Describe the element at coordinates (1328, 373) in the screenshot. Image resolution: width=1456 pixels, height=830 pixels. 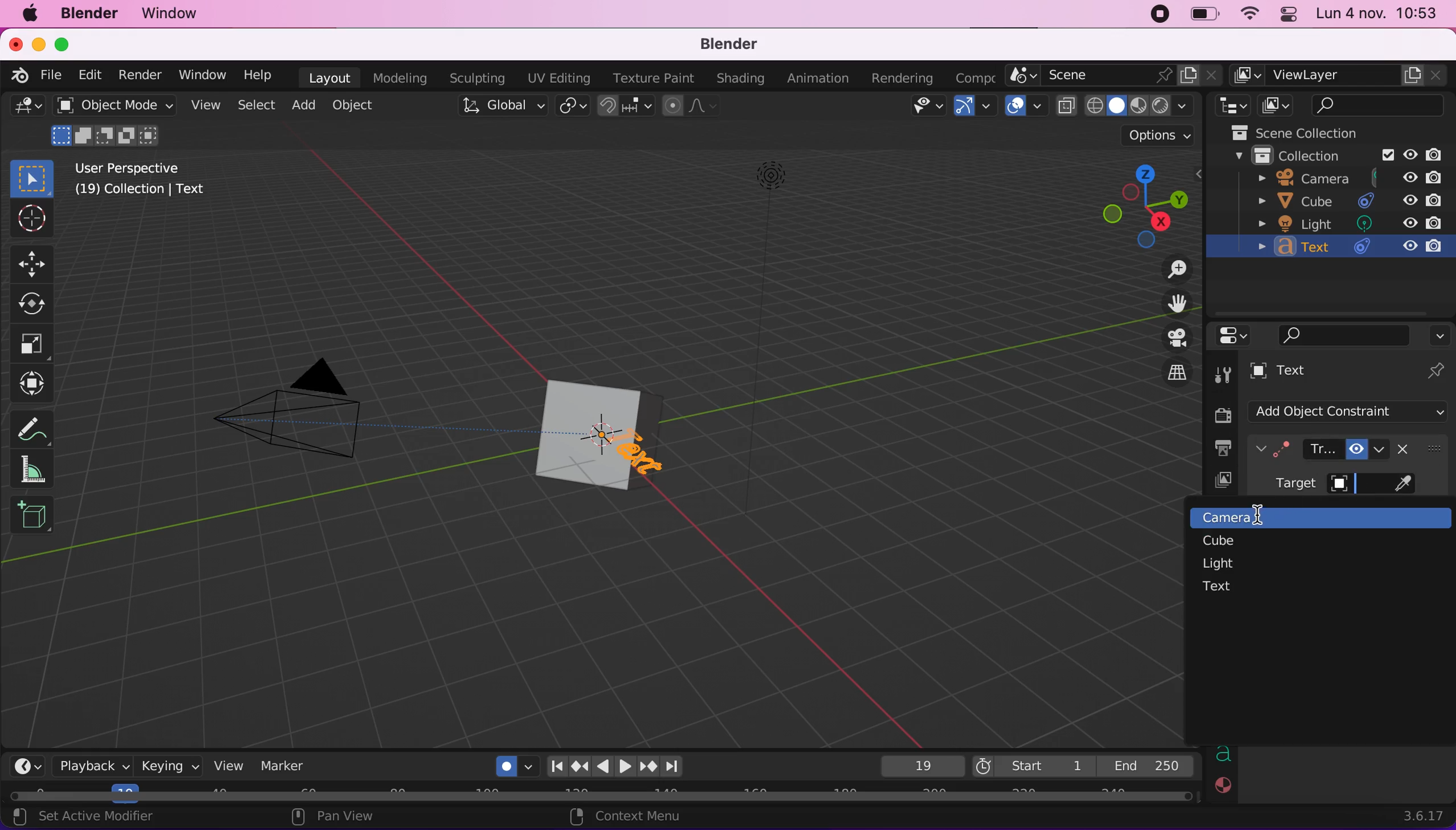
I see `text` at that location.